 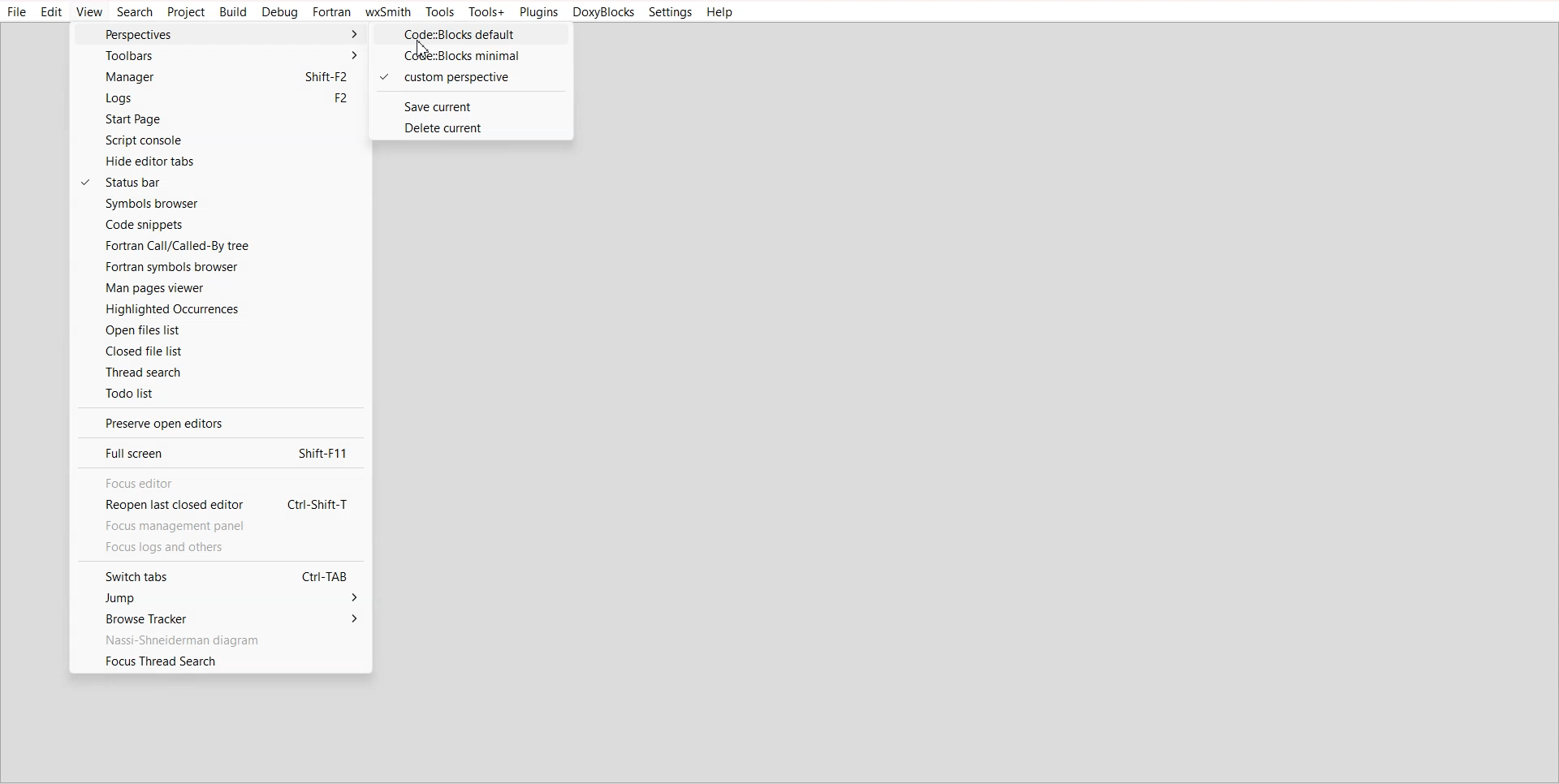 I want to click on Perspective, so click(x=219, y=33).